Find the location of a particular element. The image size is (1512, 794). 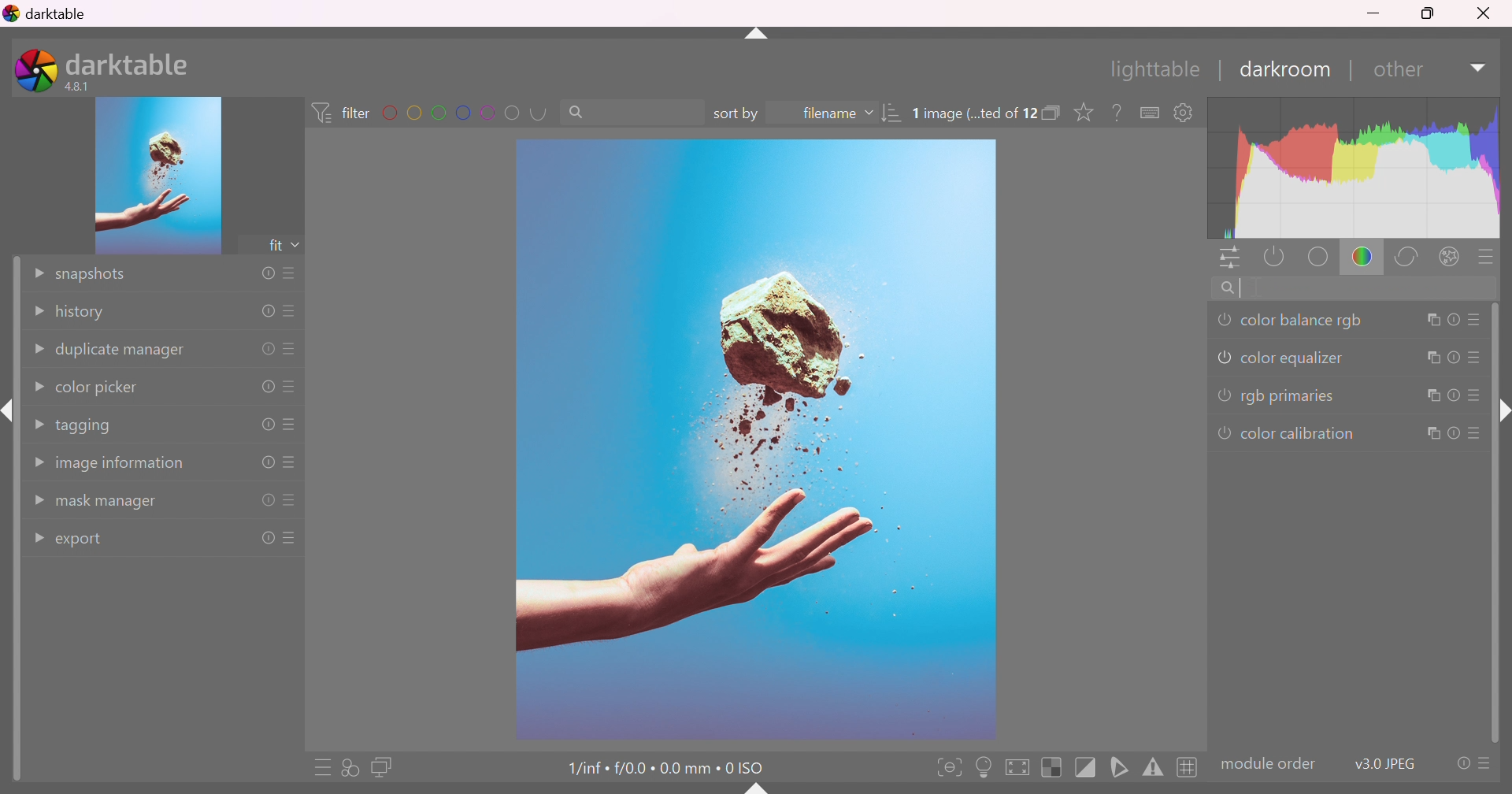

toggle clipping indication is located at coordinates (1086, 768).